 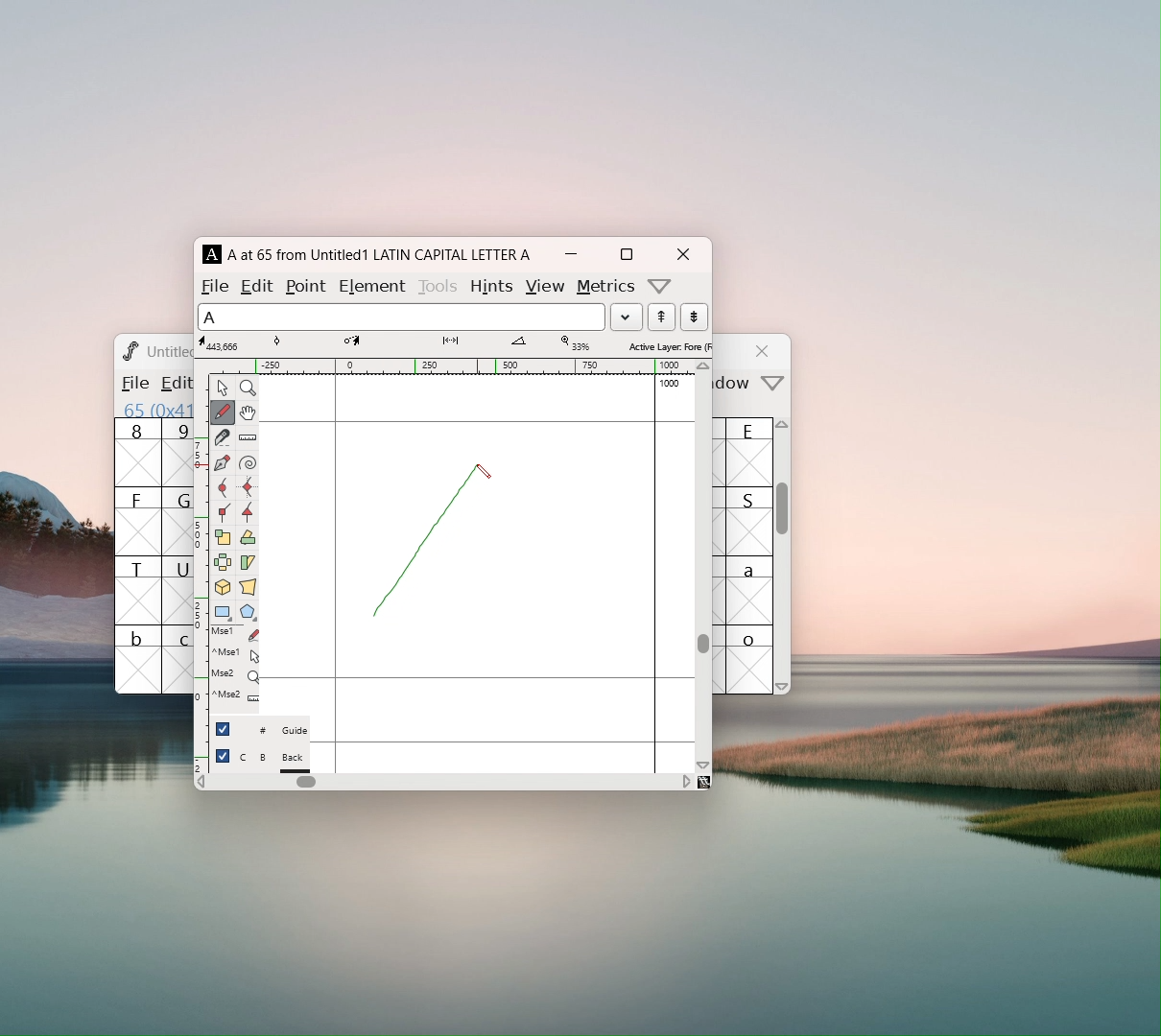 I want to click on maximize, so click(x=626, y=254).